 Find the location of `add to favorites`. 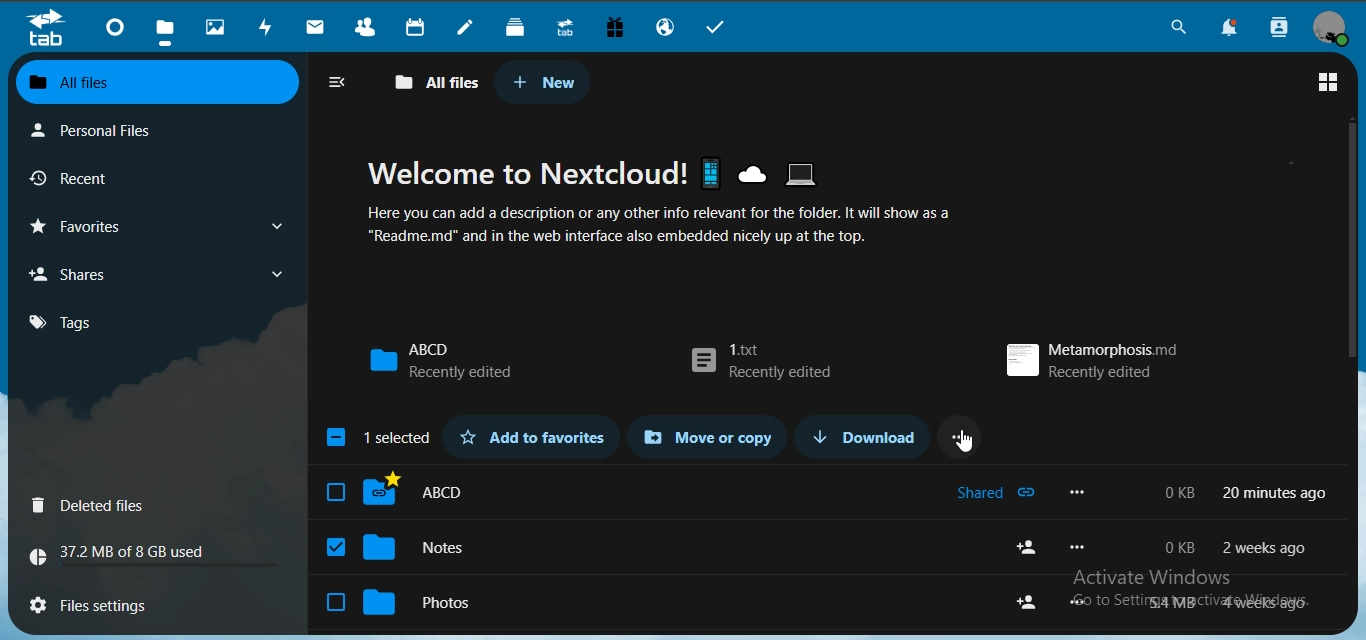

add to favorites is located at coordinates (534, 437).